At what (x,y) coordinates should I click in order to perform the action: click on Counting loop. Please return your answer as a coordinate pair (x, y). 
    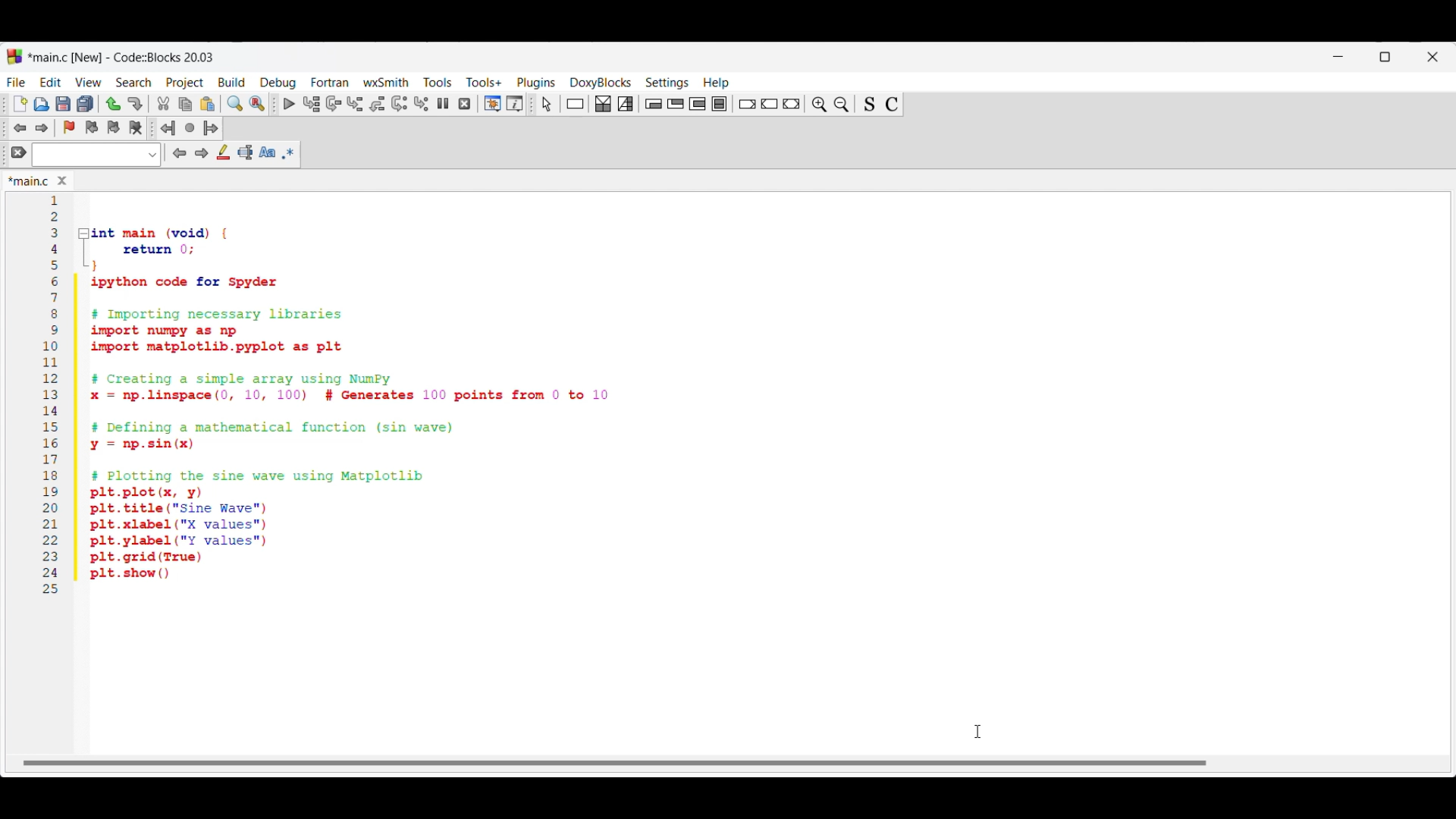
    Looking at the image, I should click on (697, 104).